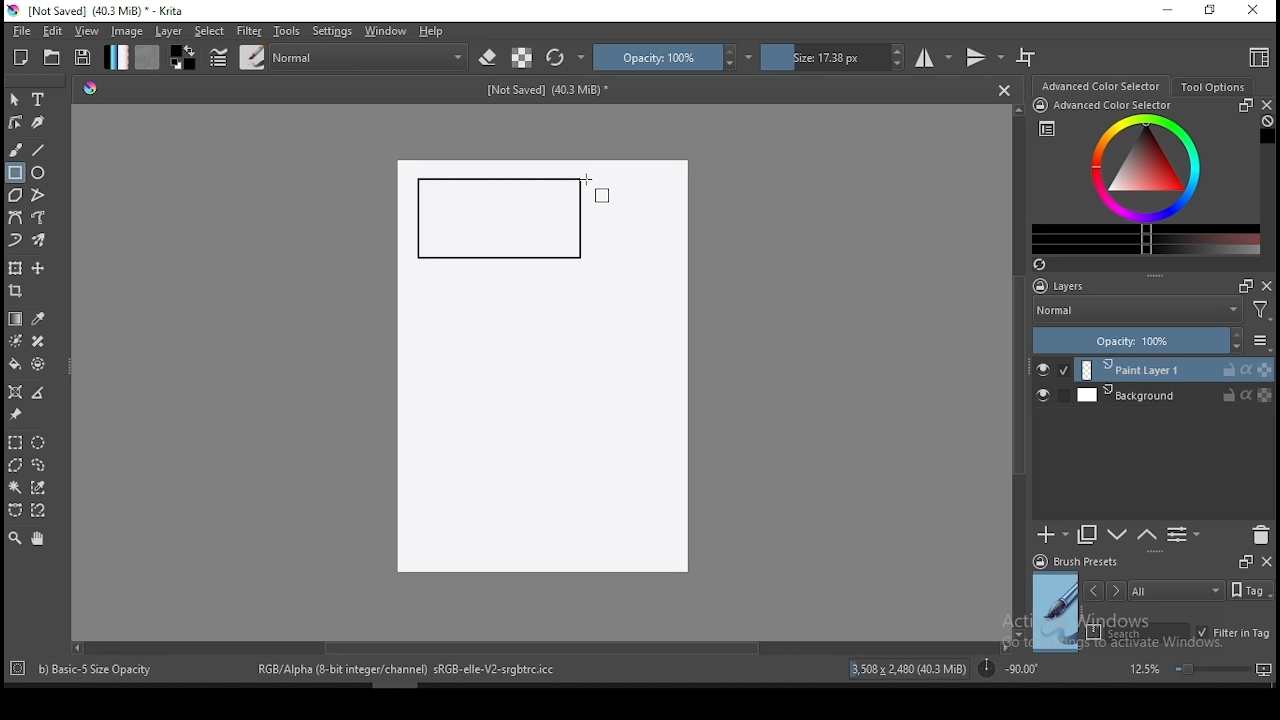  I want to click on multibrush tool, so click(40, 242).